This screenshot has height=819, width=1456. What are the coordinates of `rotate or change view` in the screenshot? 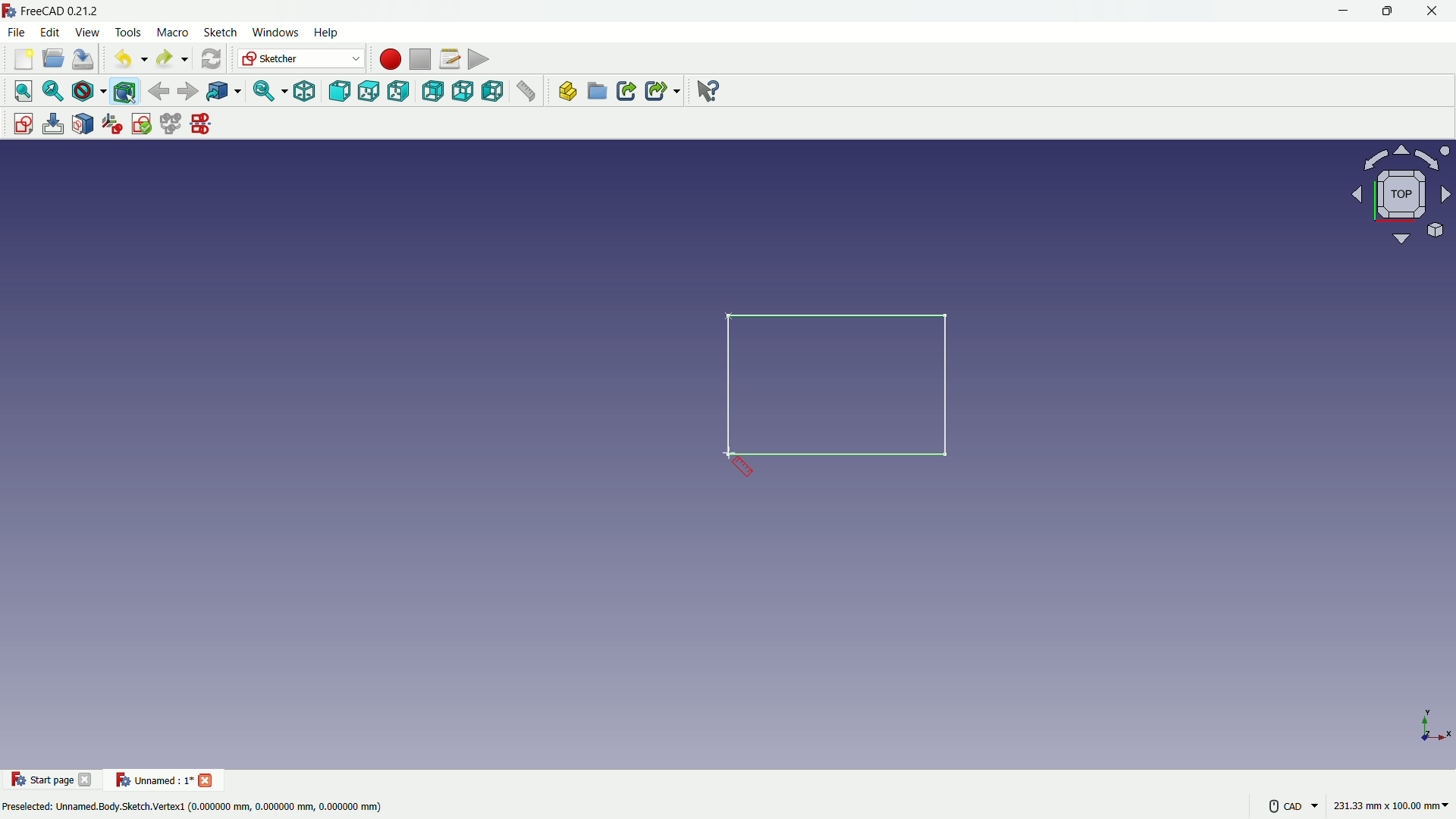 It's located at (1403, 196).